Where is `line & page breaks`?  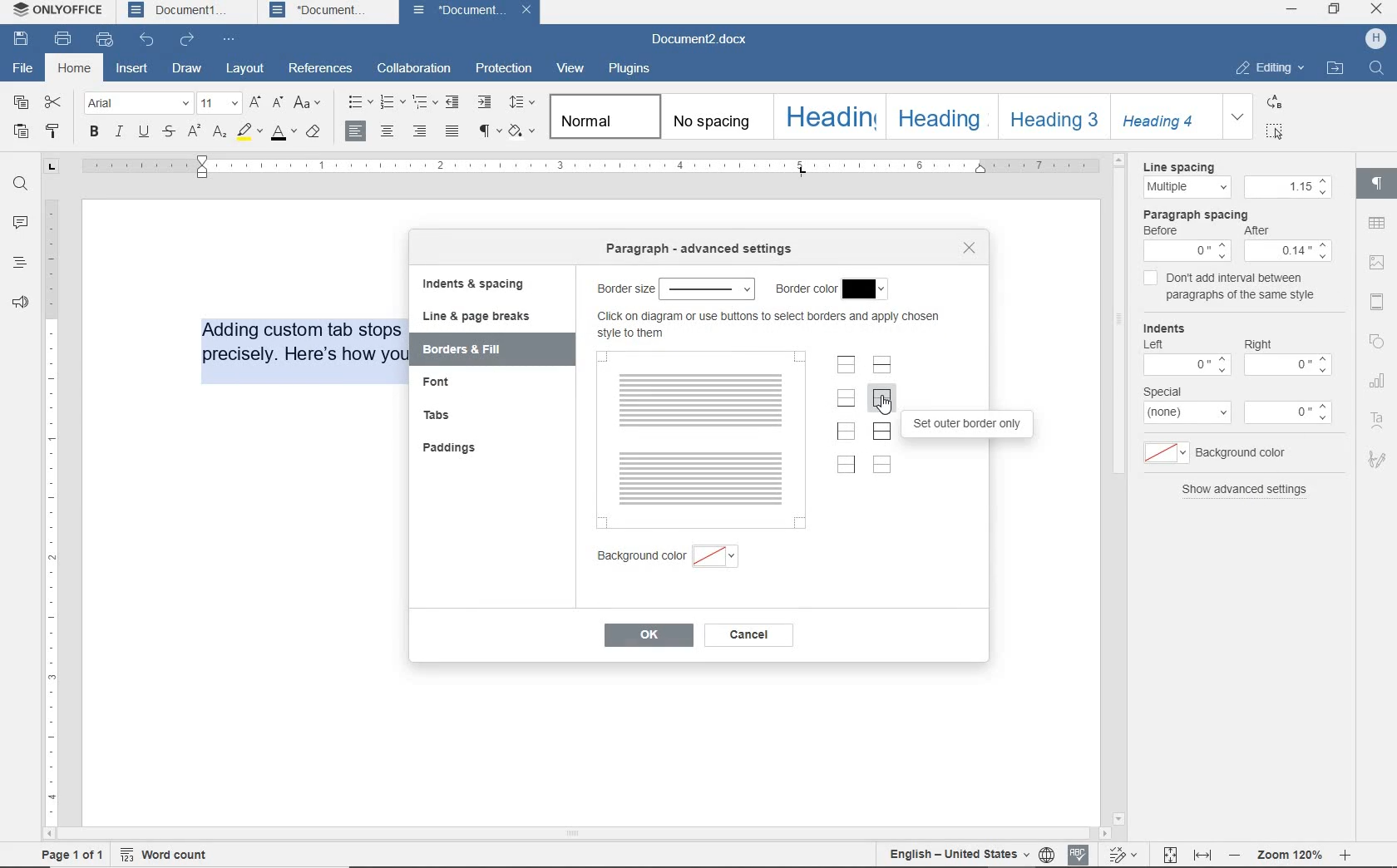
line & page breaks is located at coordinates (486, 317).